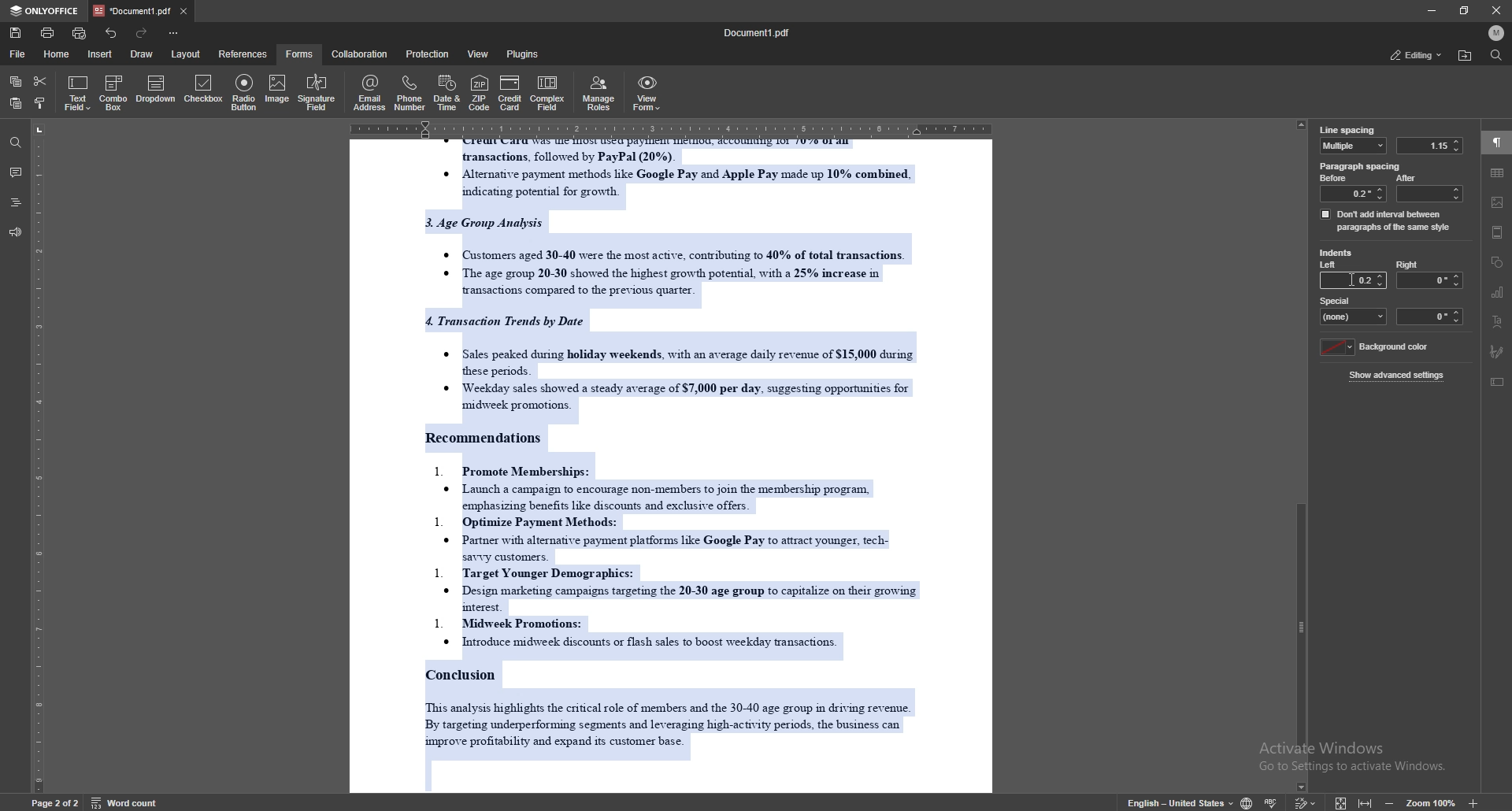 The height and width of the screenshot is (811, 1512). What do you see at coordinates (479, 92) in the screenshot?
I see `zip code` at bounding box center [479, 92].